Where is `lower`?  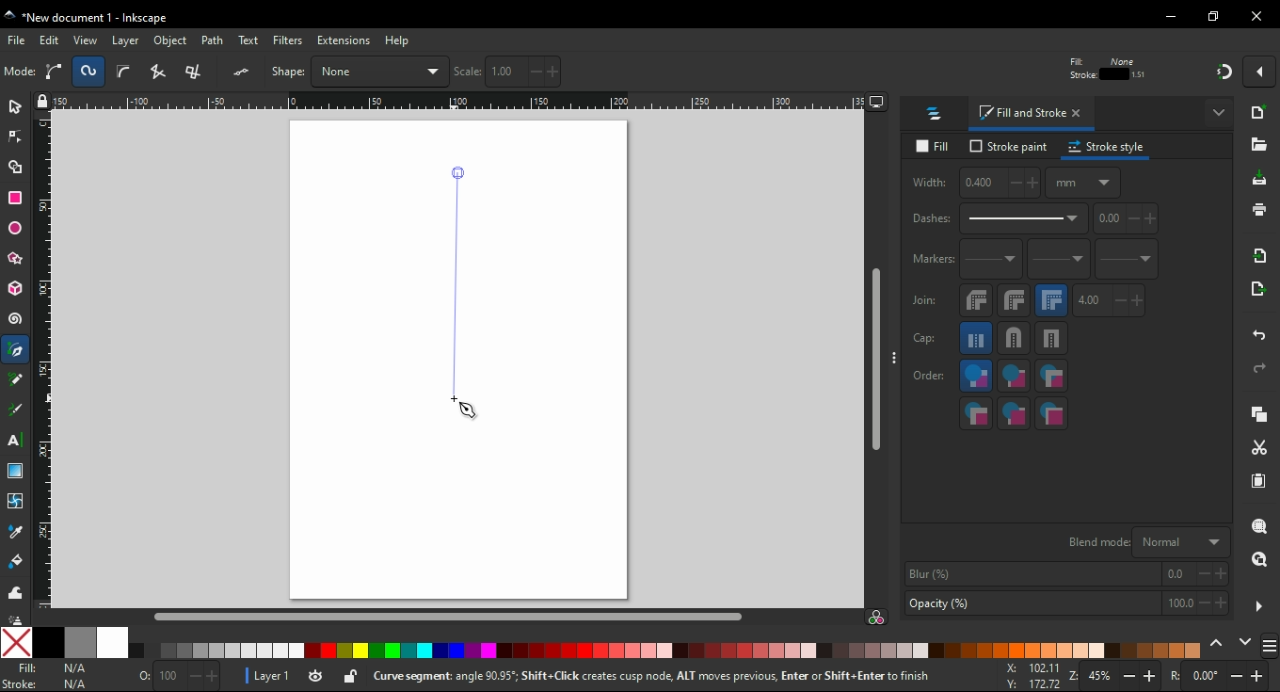 lower is located at coordinates (394, 72).